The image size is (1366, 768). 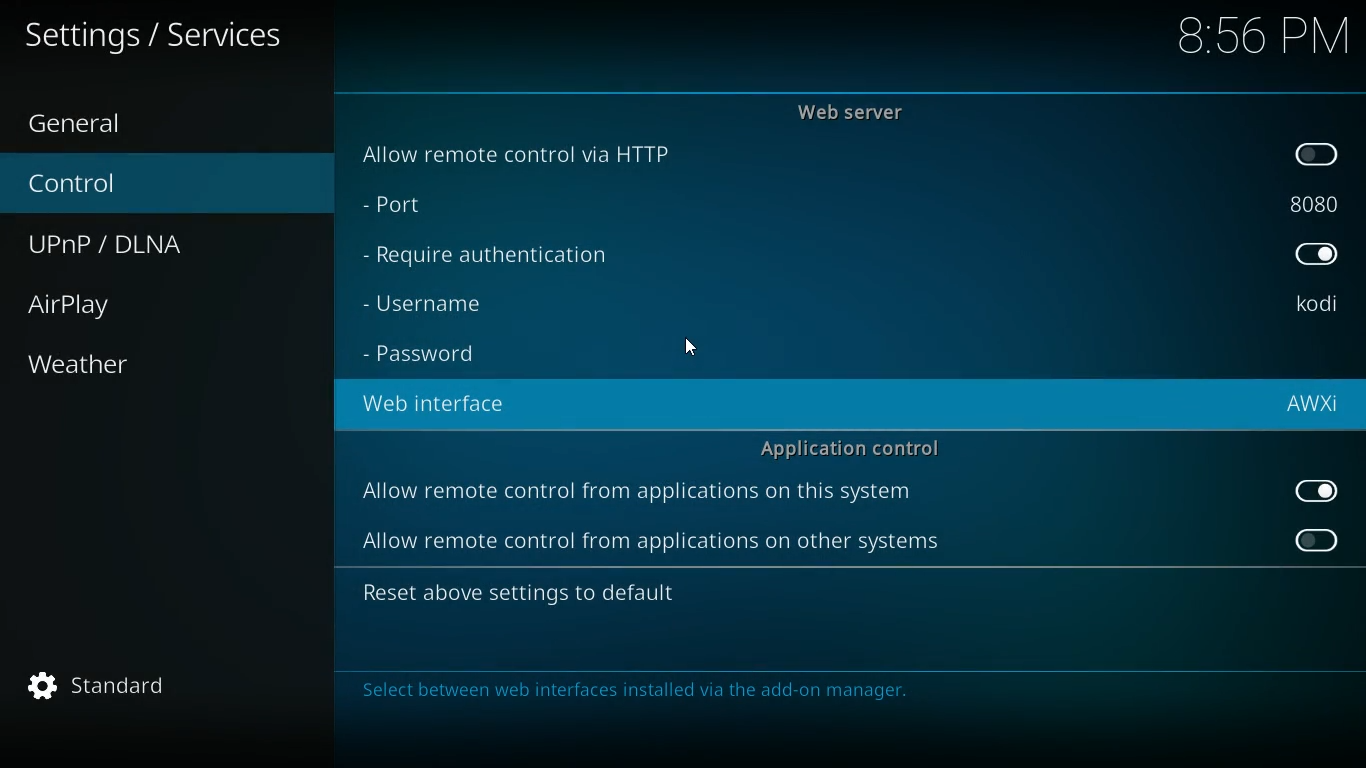 What do you see at coordinates (445, 404) in the screenshot?
I see `web interface` at bounding box center [445, 404].